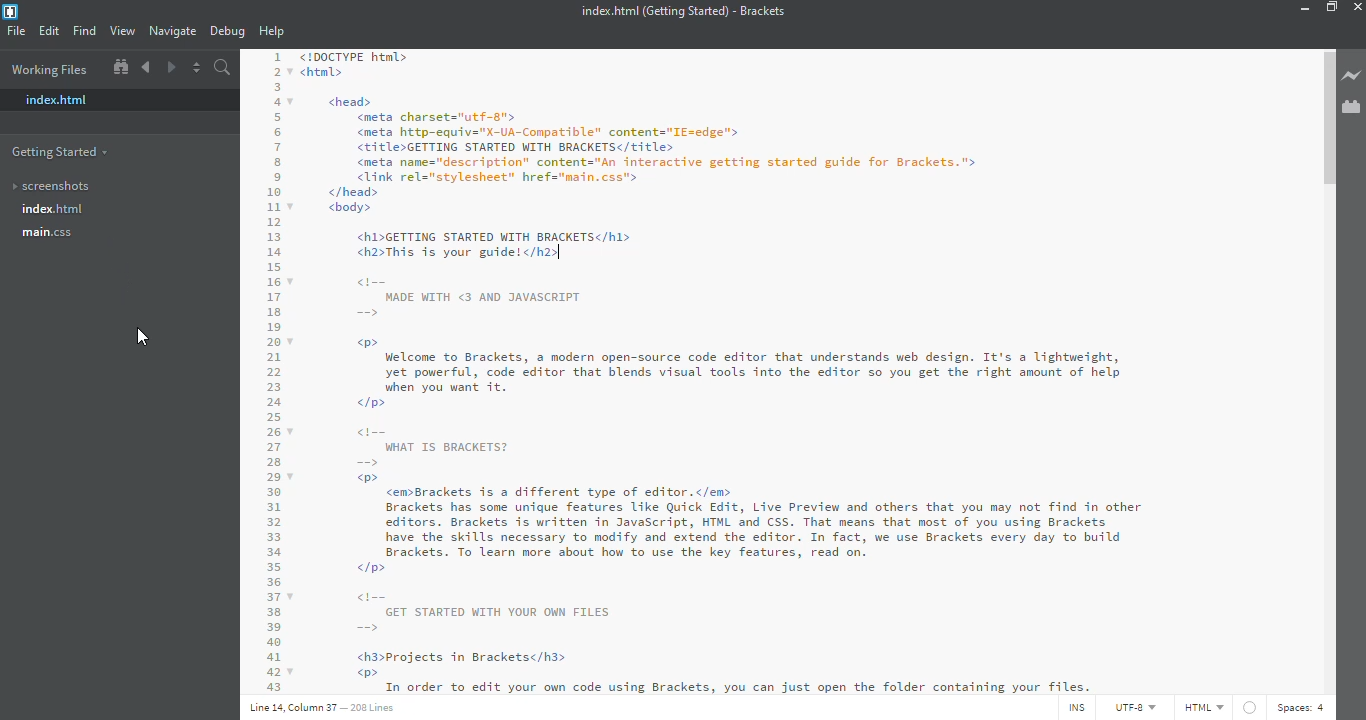 This screenshot has height=720, width=1366. What do you see at coordinates (1351, 107) in the screenshot?
I see `extension manager` at bounding box center [1351, 107].